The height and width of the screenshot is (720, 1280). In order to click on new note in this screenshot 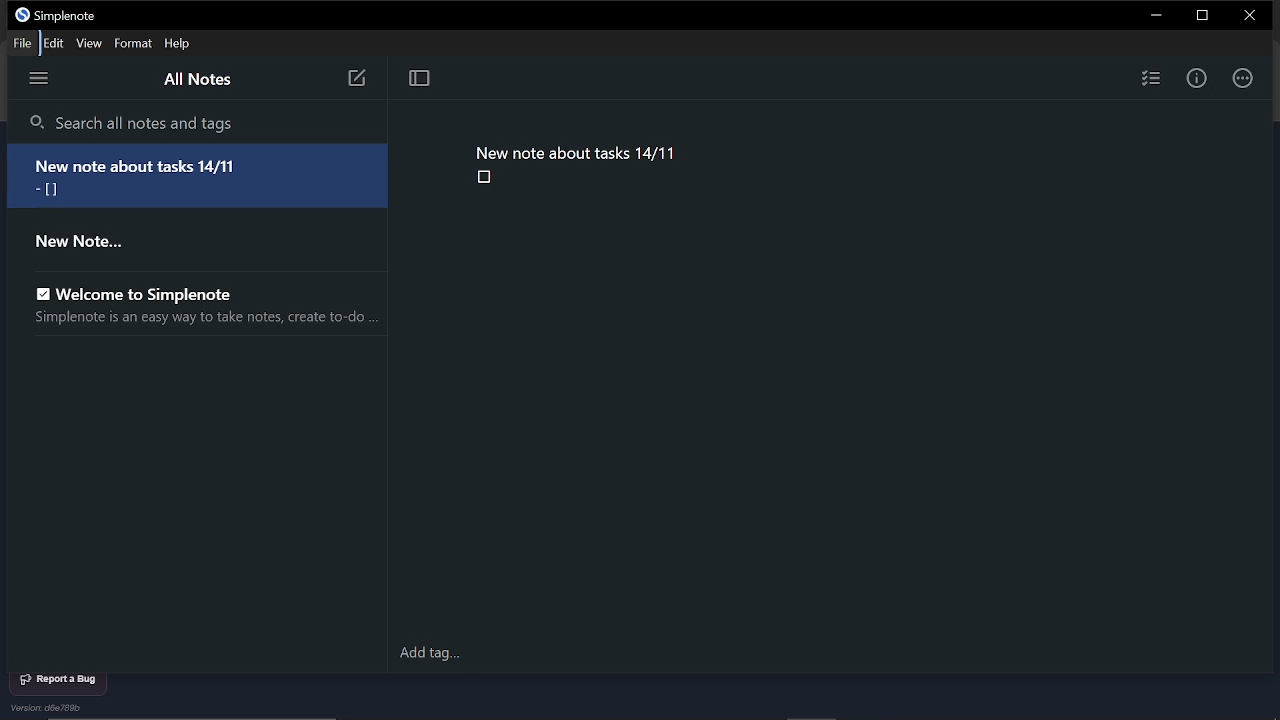, I will do `click(355, 80)`.